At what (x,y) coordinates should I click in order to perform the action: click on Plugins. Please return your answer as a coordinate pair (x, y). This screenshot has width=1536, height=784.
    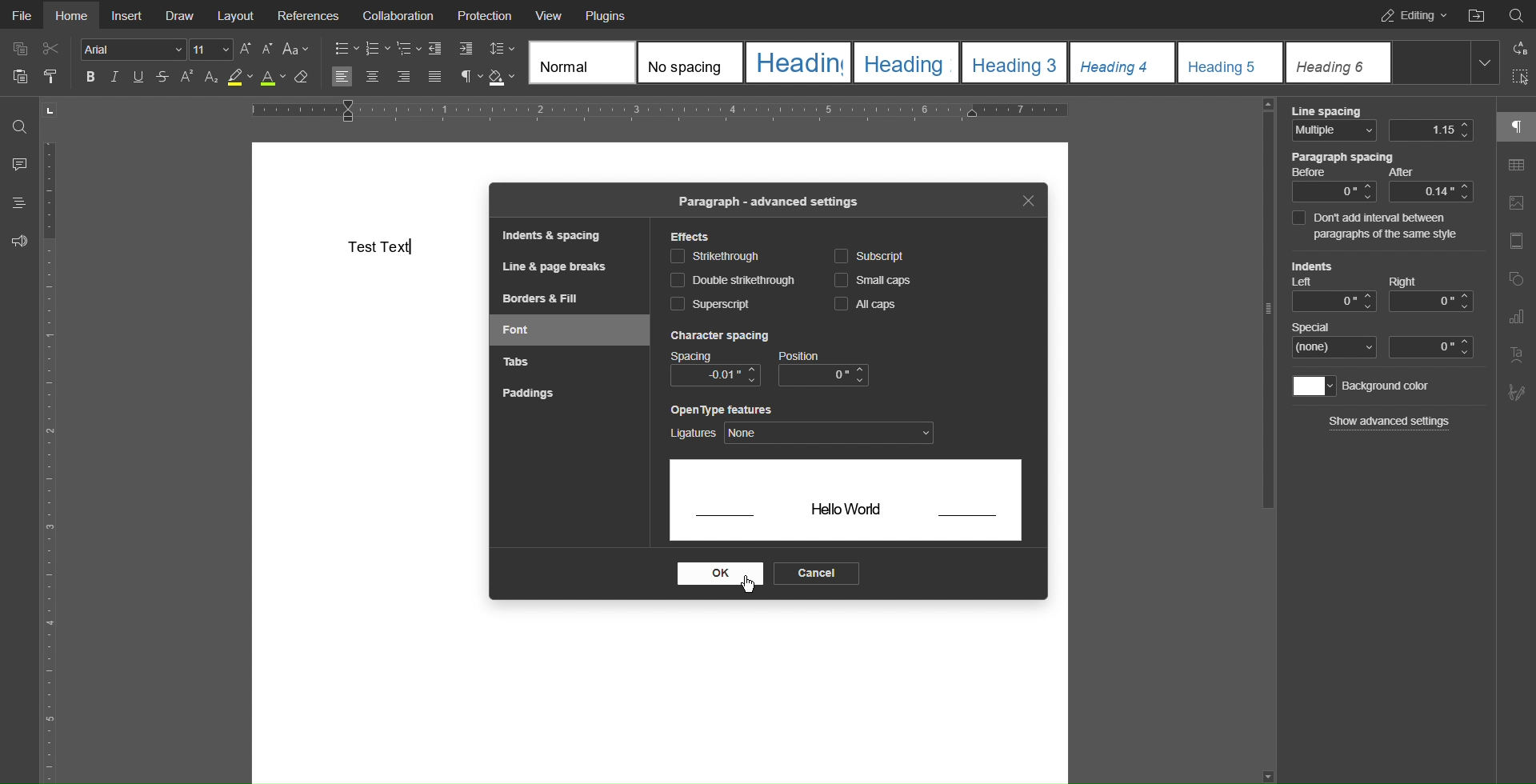
    Looking at the image, I should click on (604, 14).